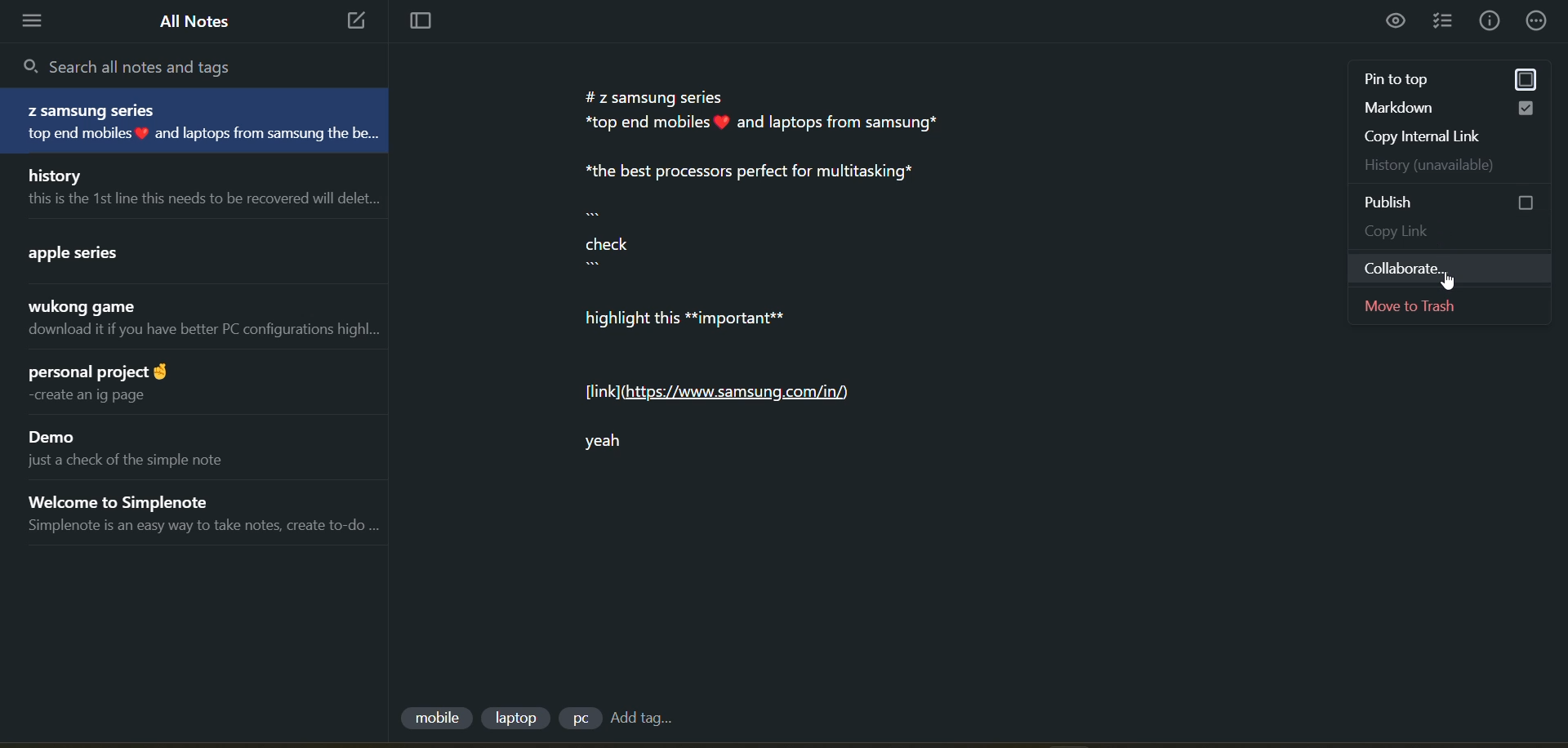  I want to click on markdown, so click(1460, 109).